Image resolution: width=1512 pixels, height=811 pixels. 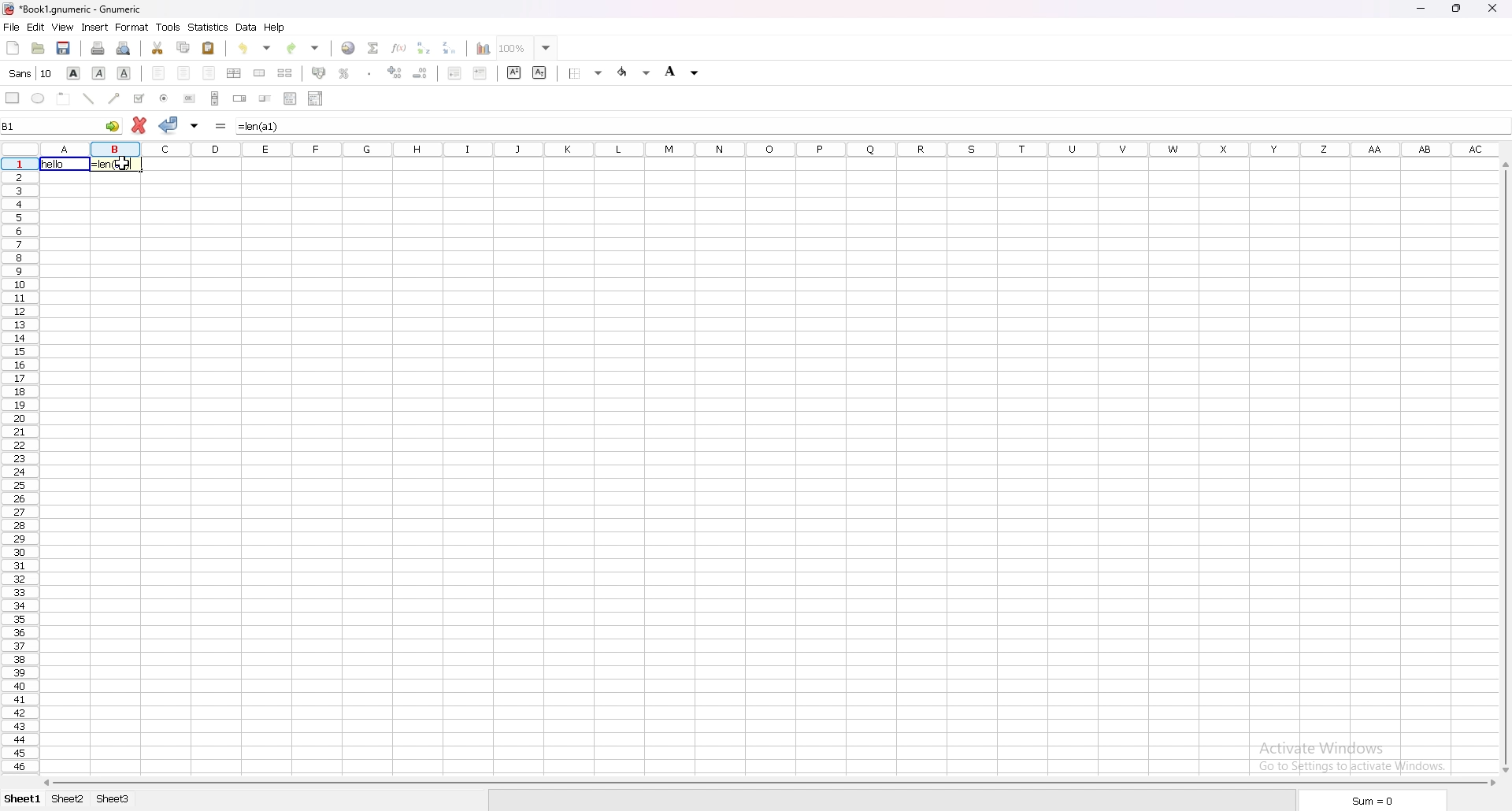 I want to click on enter formula, so click(x=221, y=126).